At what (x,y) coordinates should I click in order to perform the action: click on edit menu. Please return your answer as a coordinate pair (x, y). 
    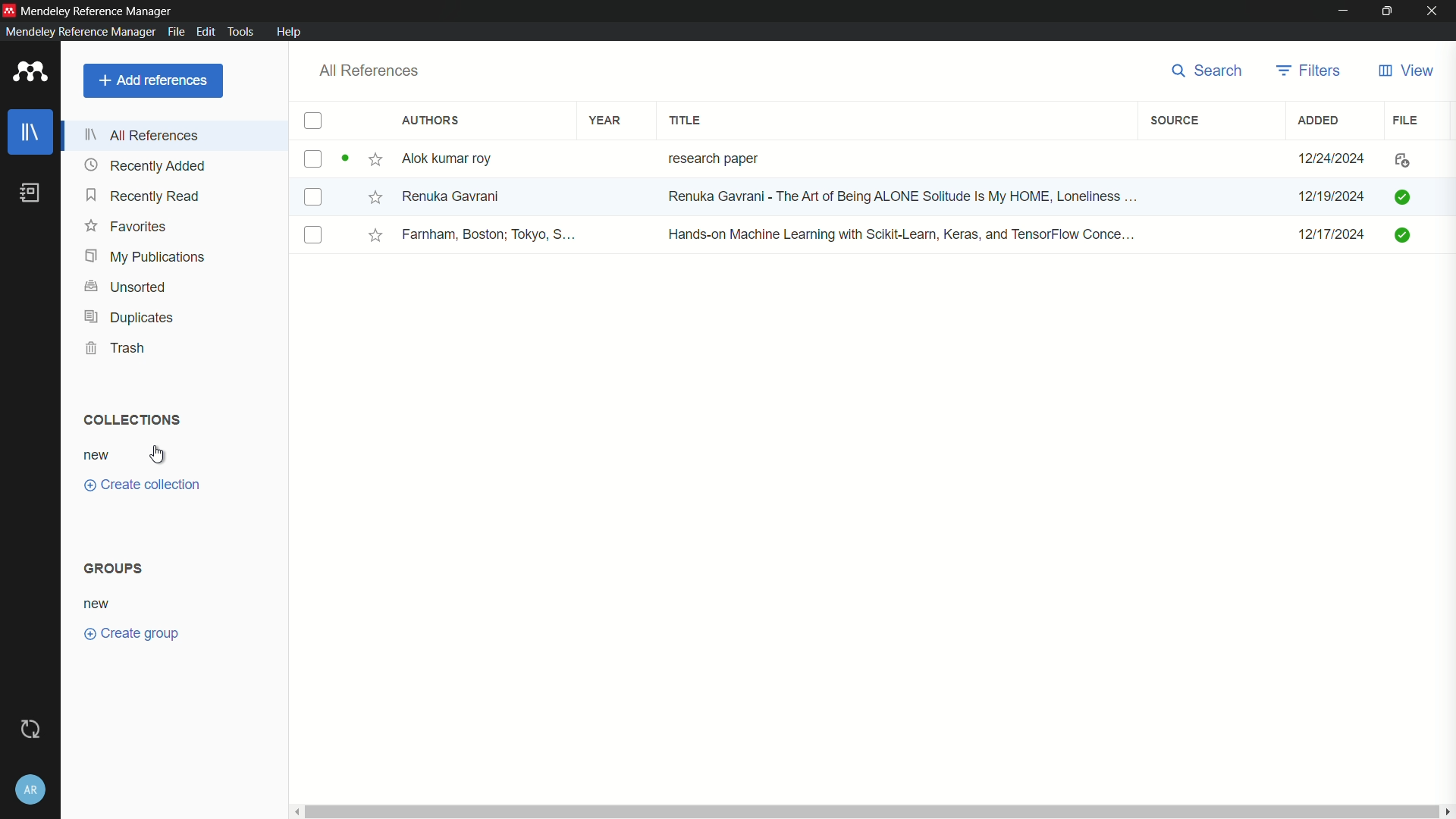
    Looking at the image, I should click on (205, 31).